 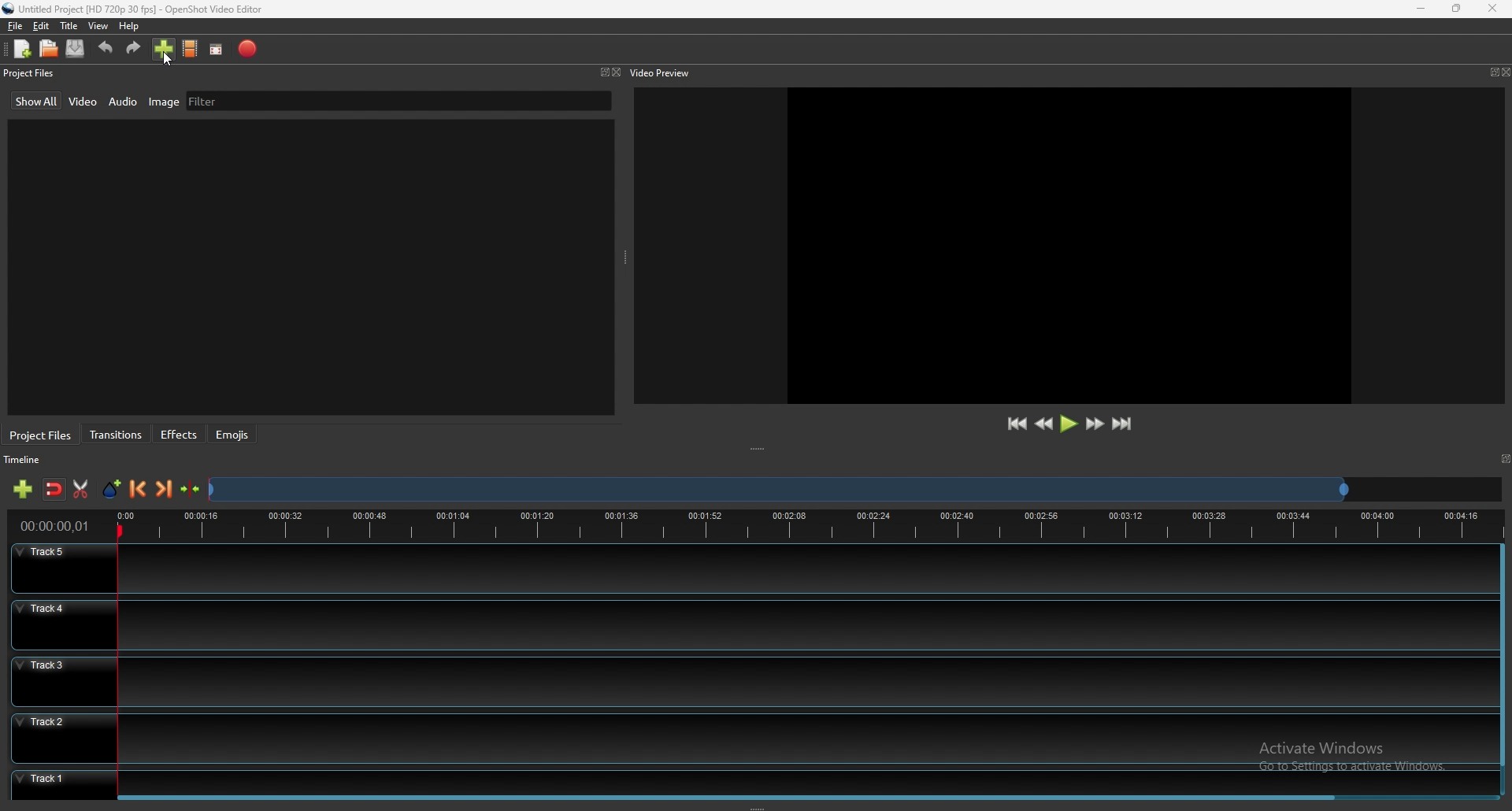 What do you see at coordinates (1506, 72) in the screenshot?
I see `close` at bounding box center [1506, 72].